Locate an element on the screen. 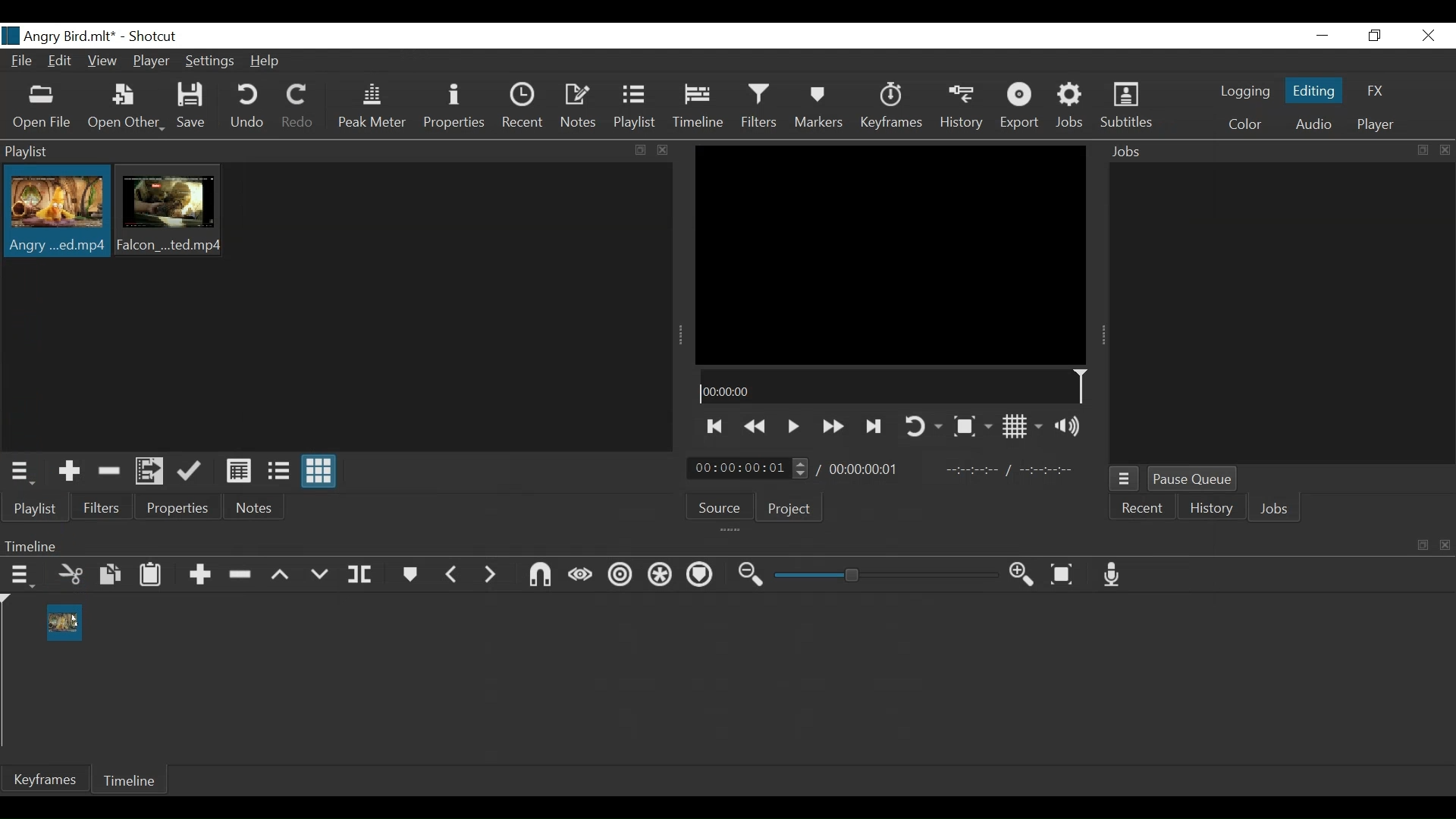  Notes is located at coordinates (581, 106).